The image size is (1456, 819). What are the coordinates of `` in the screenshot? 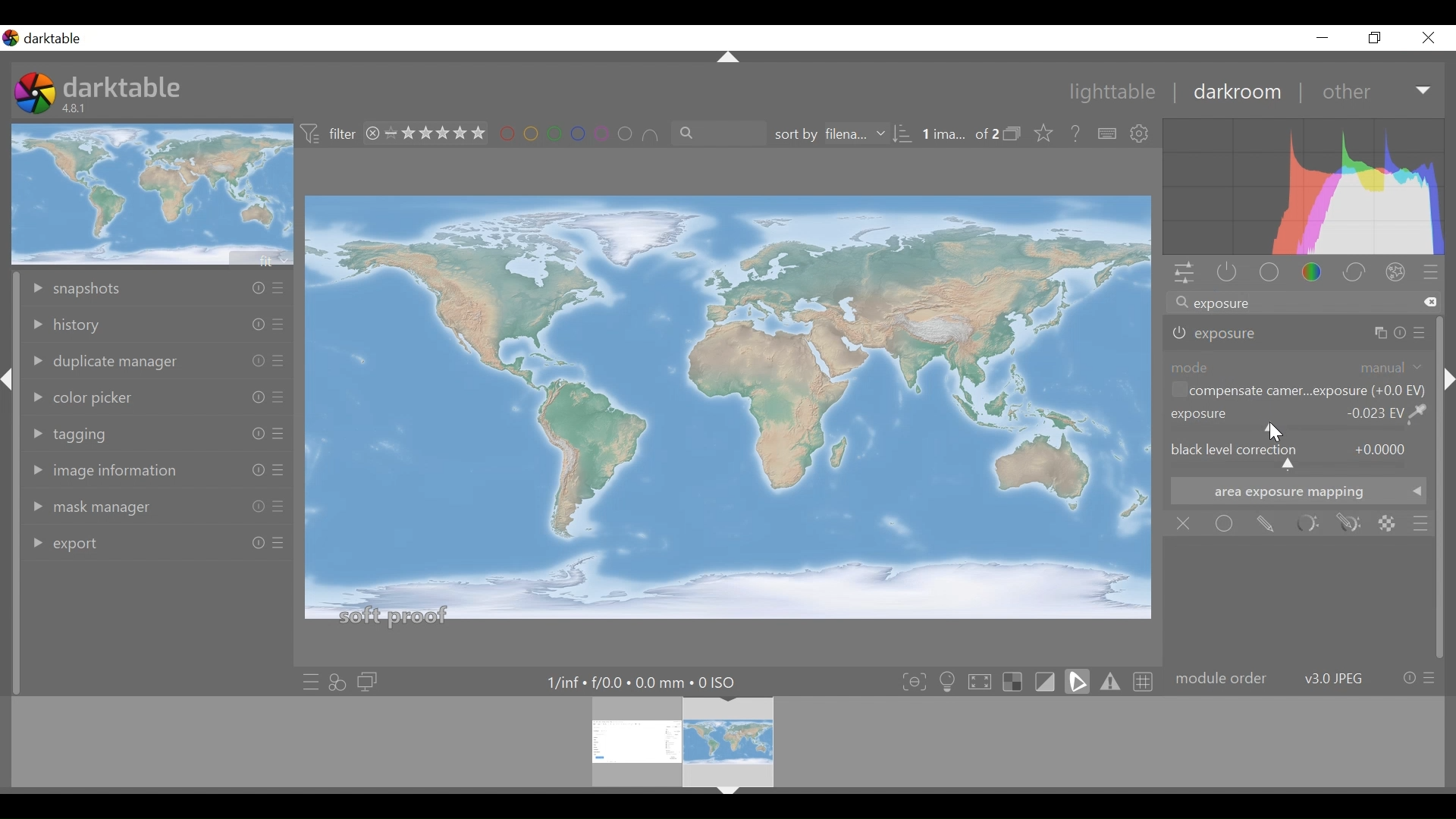 It's located at (1376, 37).